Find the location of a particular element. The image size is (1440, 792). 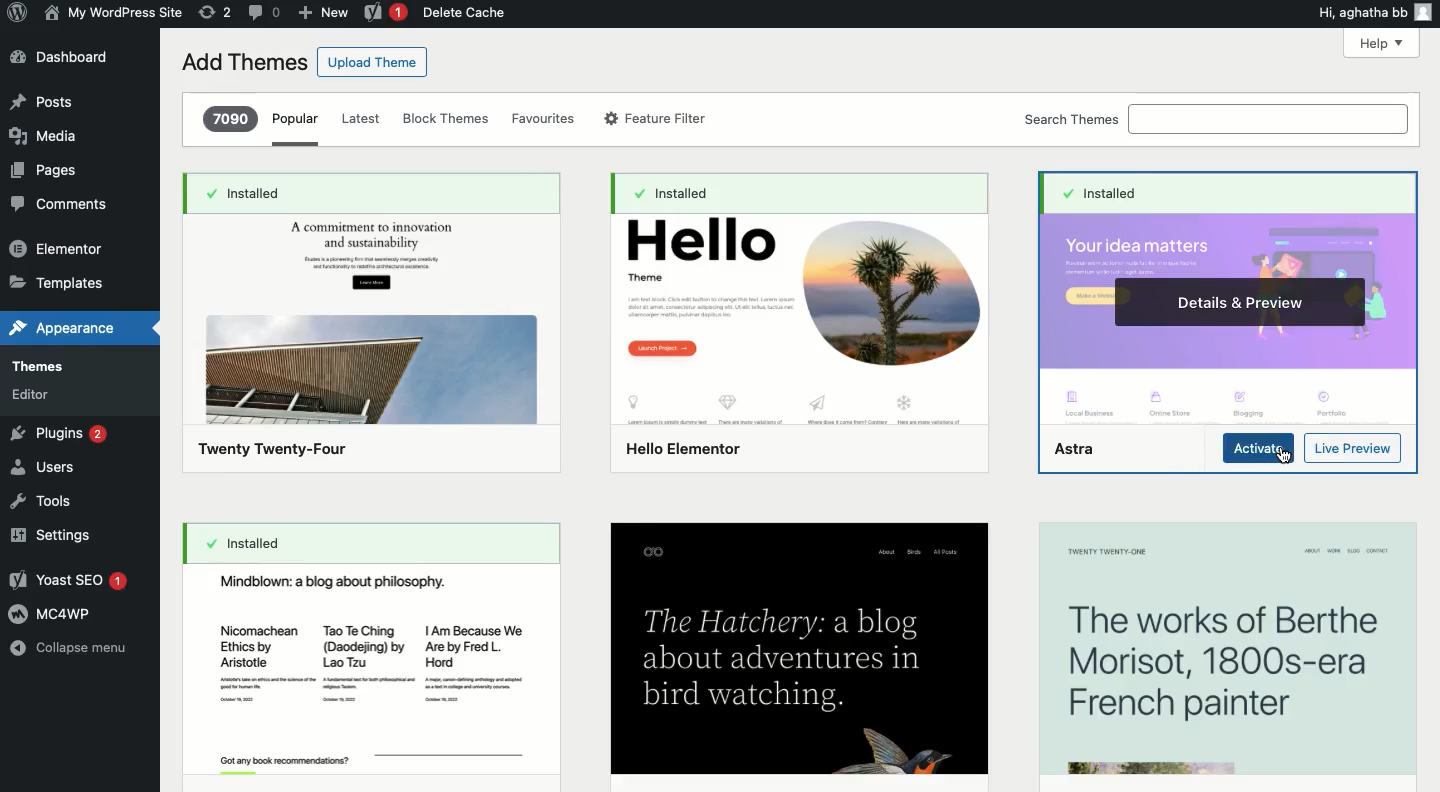

Comment is located at coordinates (60, 208).